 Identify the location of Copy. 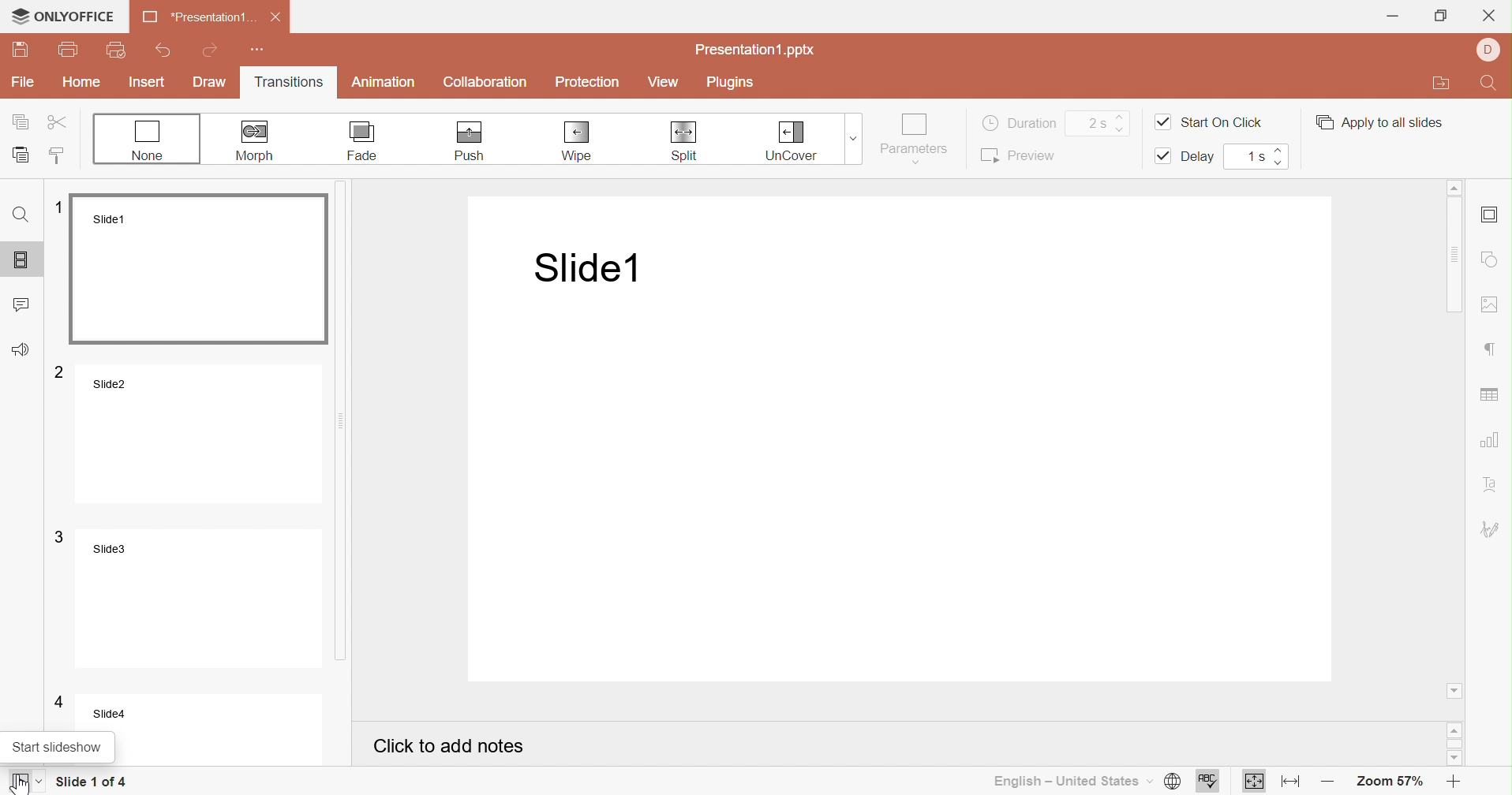
(22, 123).